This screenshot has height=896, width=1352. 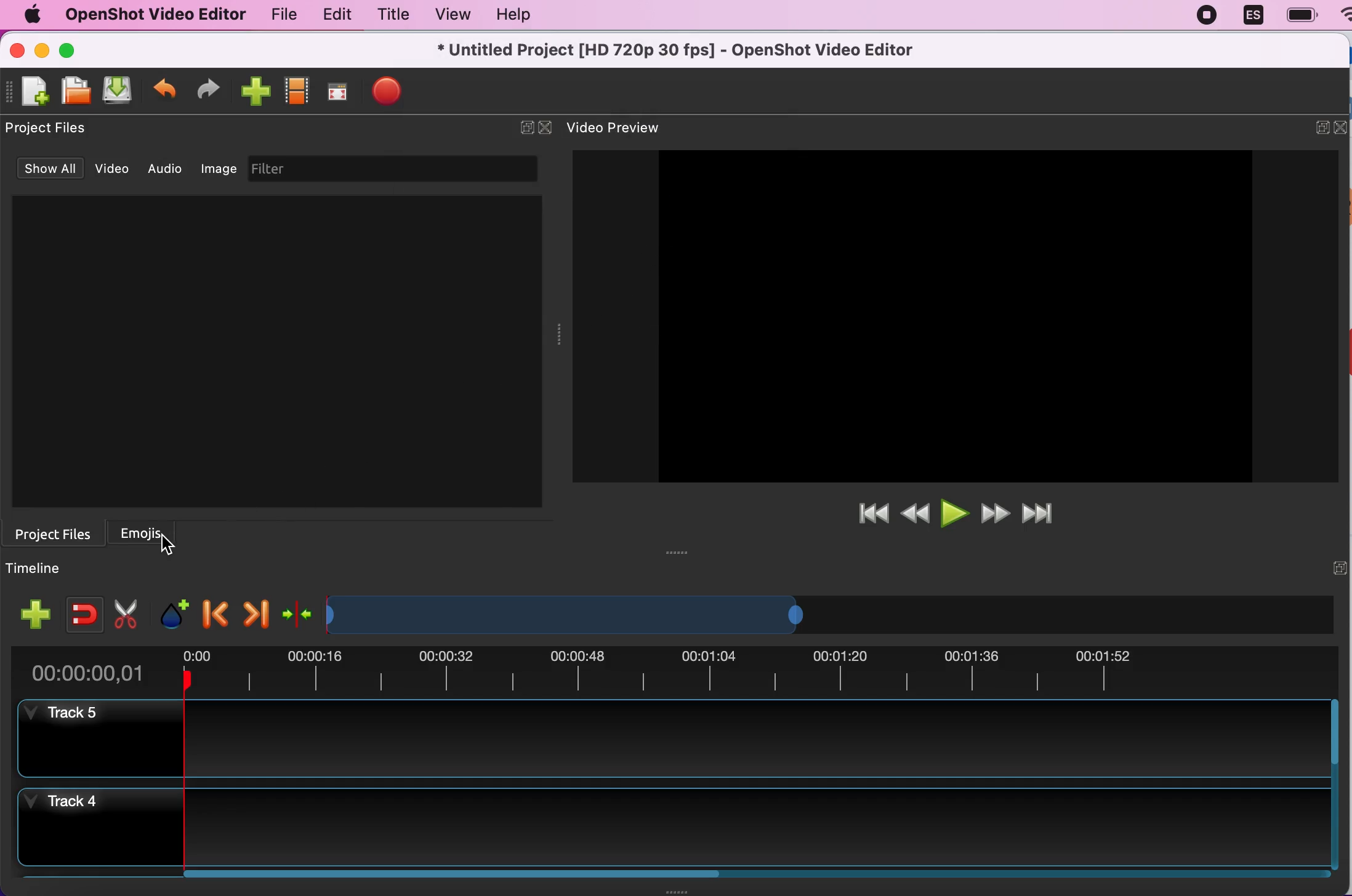 What do you see at coordinates (16, 54) in the screenshot?
I see `close` at bounding box center [16, 54].